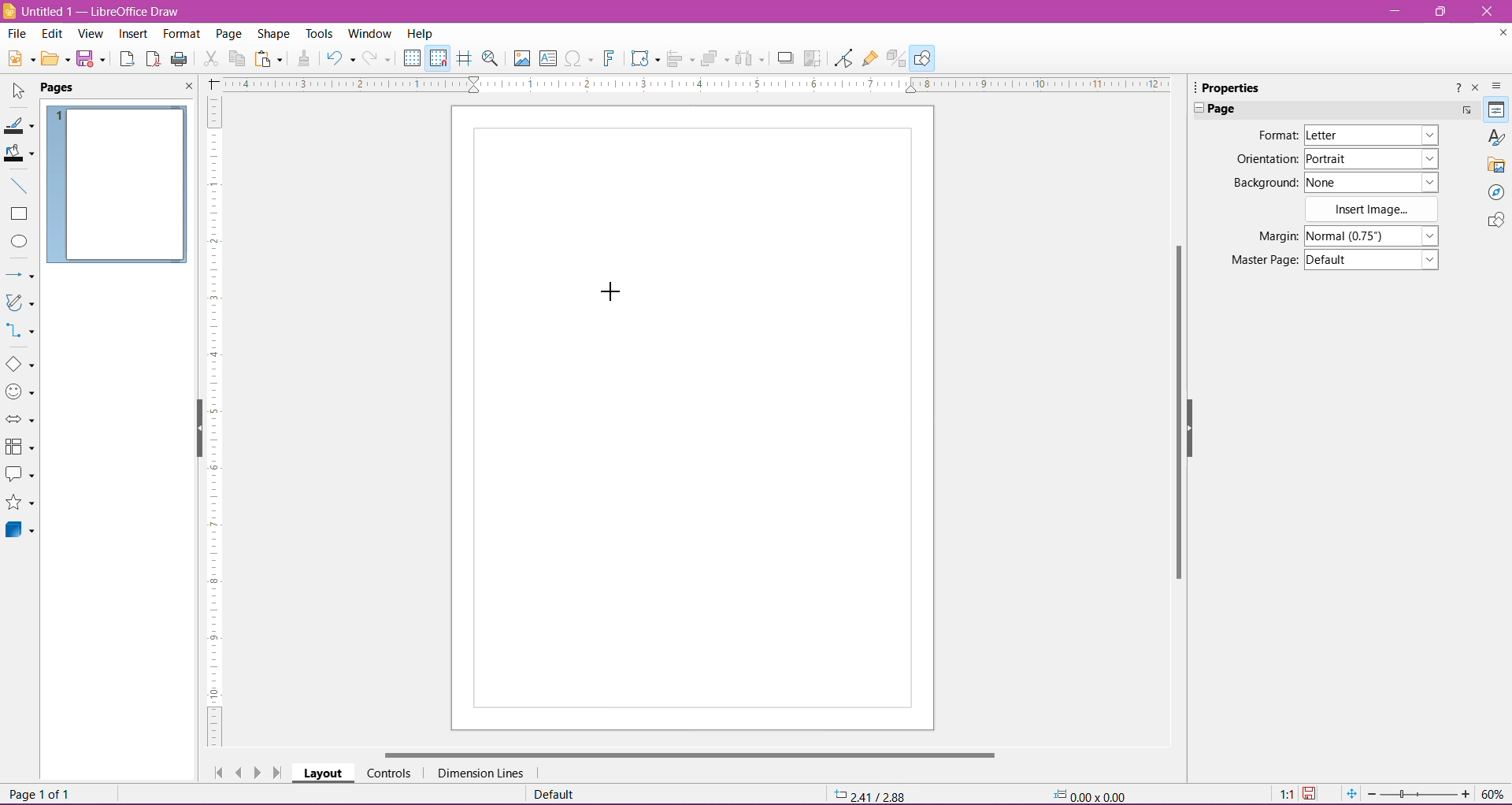  I want to click on Orientation, so click(1266, 161).